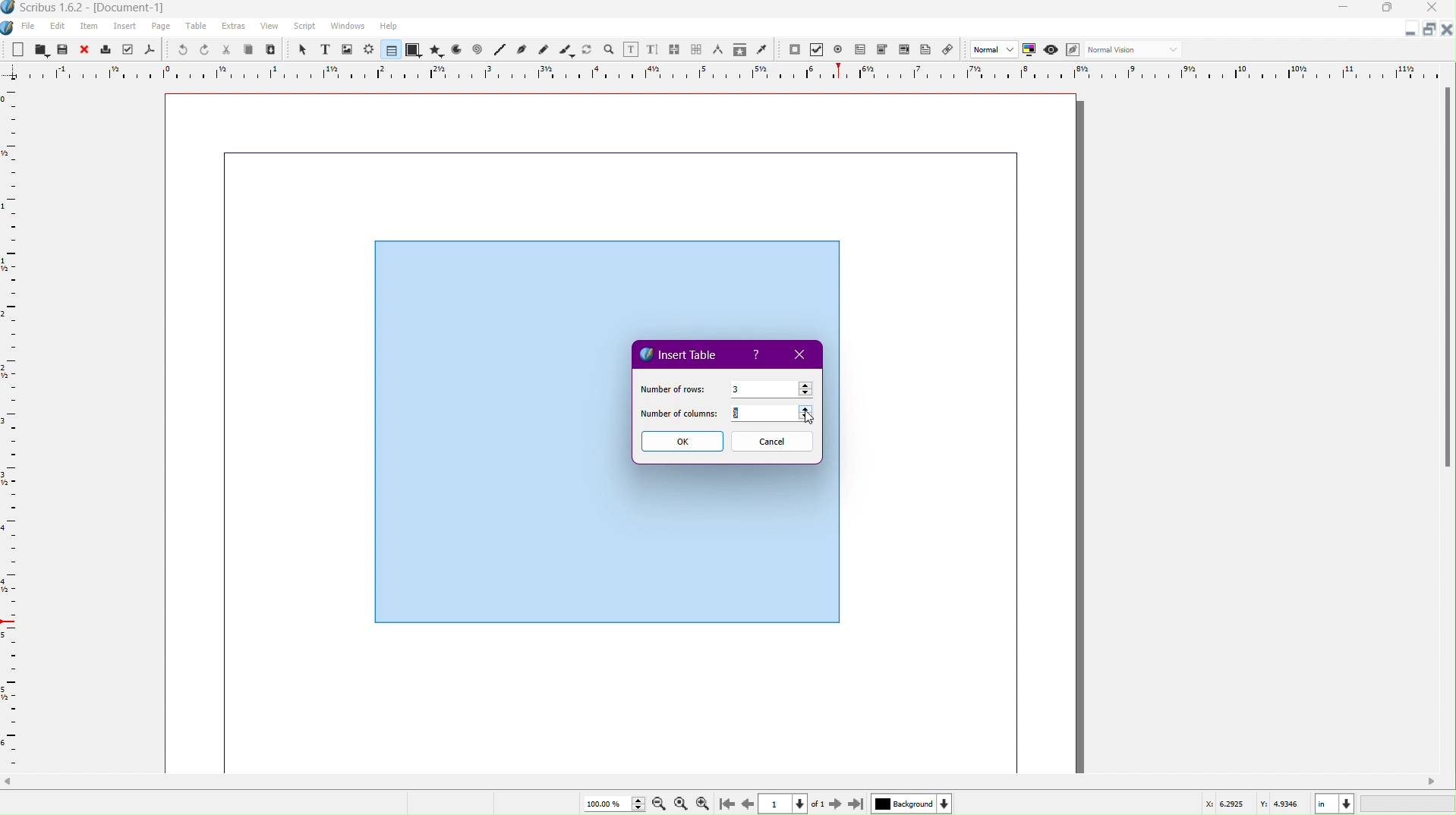 The image size is (1456, 815). Describe the element at coordinates (235, 27) in the screenshot. I see `Extras` at that location.